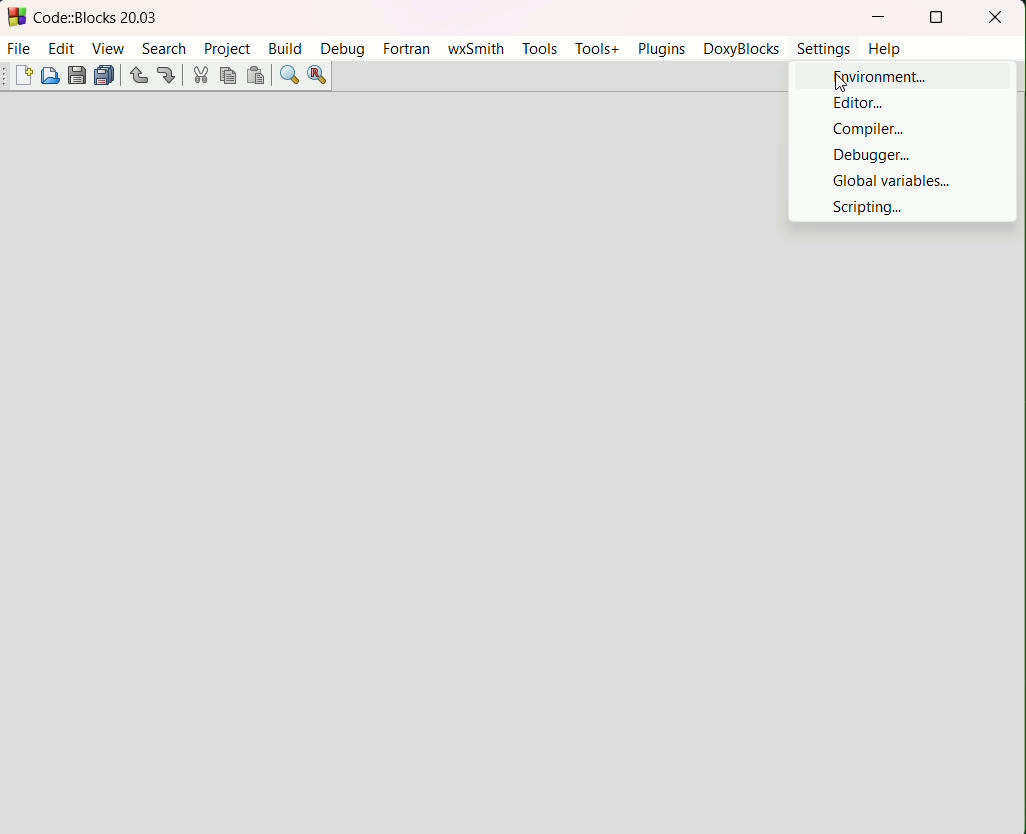 The image size is (1026, 834). What do you see at coordinates (343, 50) in the screenshot?
I see `debug` at bounding box center [343, 50].